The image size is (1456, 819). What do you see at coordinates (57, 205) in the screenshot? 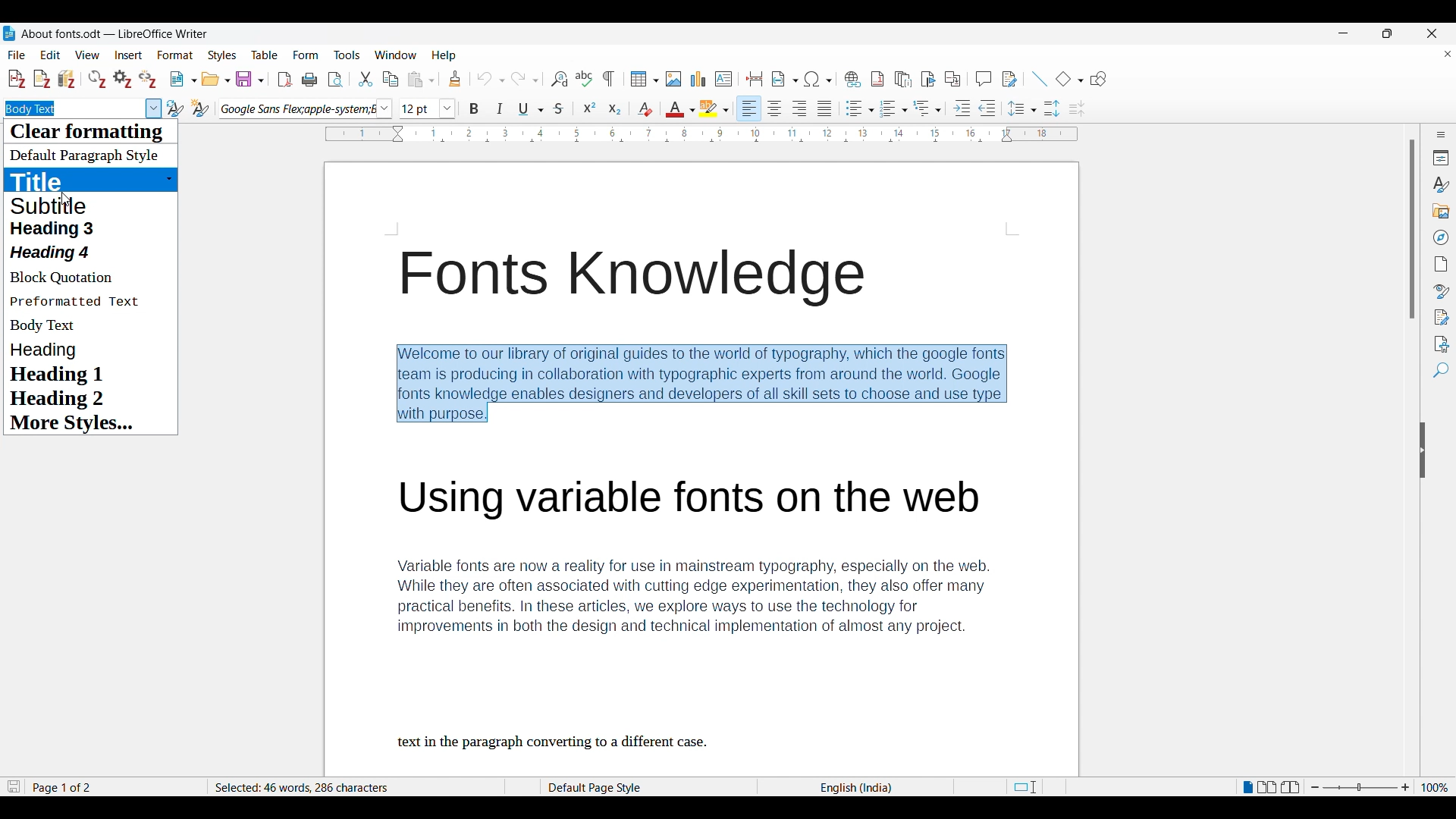
I see `subtitle` at bounding box center [57, 205].